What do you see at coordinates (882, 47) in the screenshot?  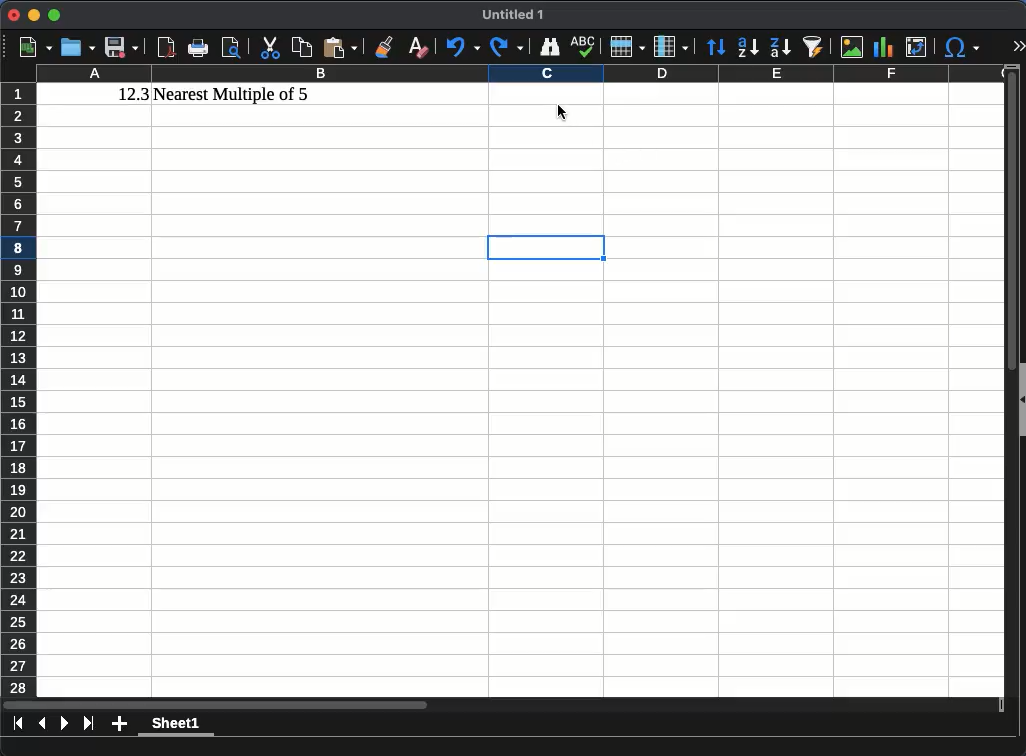 I see `chart` at bounding box center [882, 47].